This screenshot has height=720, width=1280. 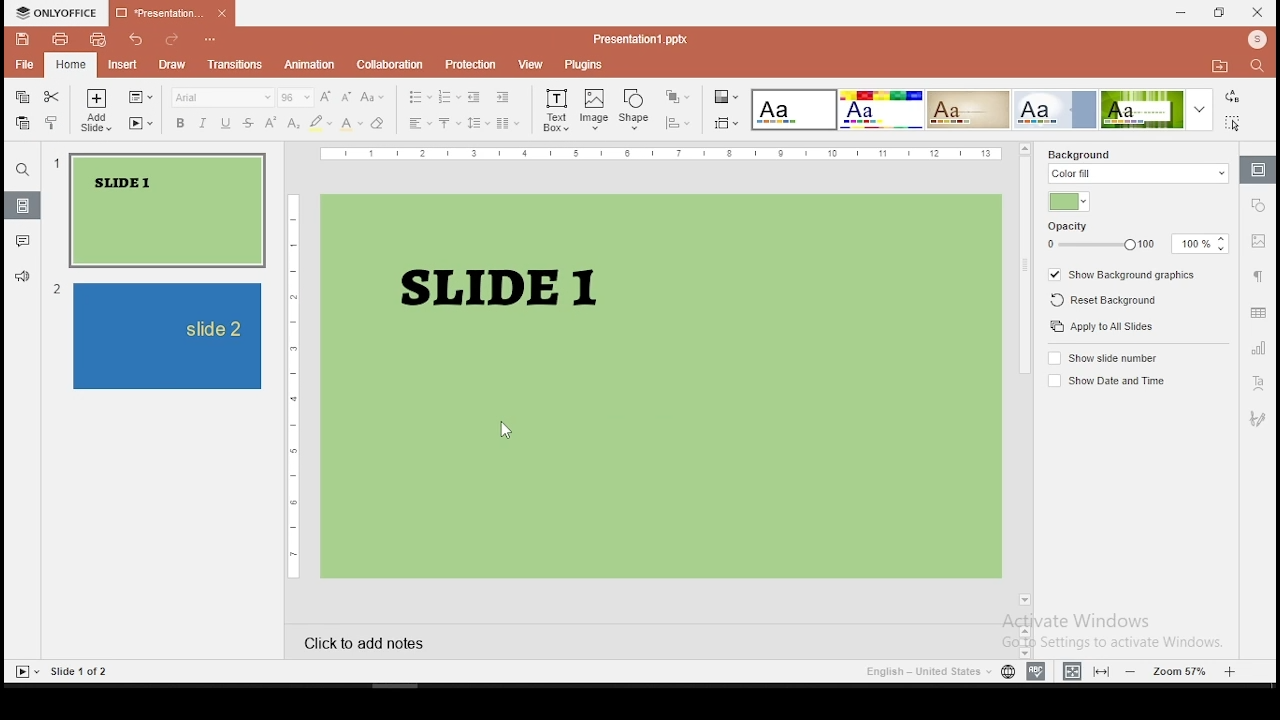 I want to click on close, so click(x=1255, y=13).